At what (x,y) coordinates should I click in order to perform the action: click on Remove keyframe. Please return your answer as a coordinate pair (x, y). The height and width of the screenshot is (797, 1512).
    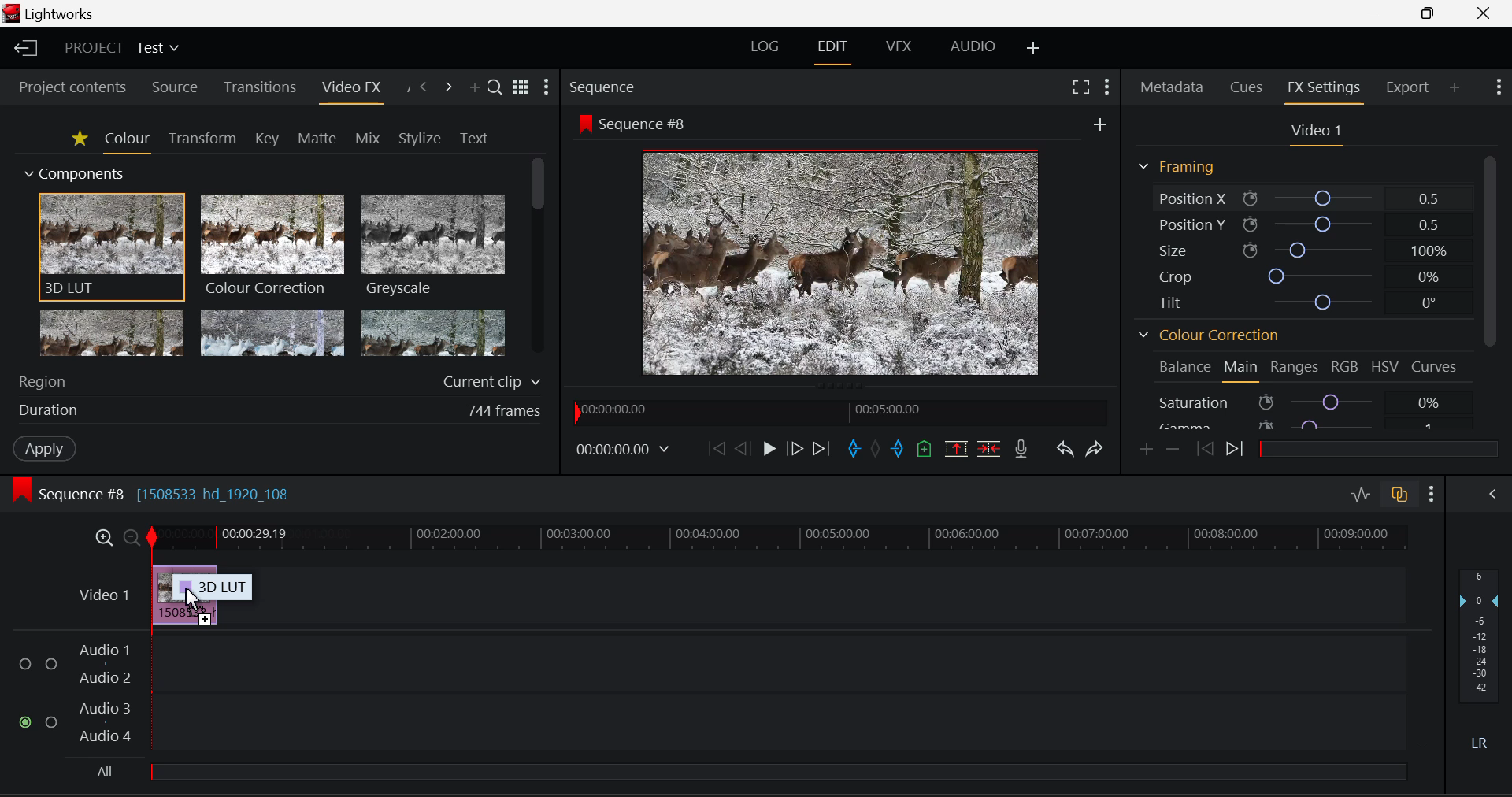
    Looking at the image, I should click on (1173, 452).